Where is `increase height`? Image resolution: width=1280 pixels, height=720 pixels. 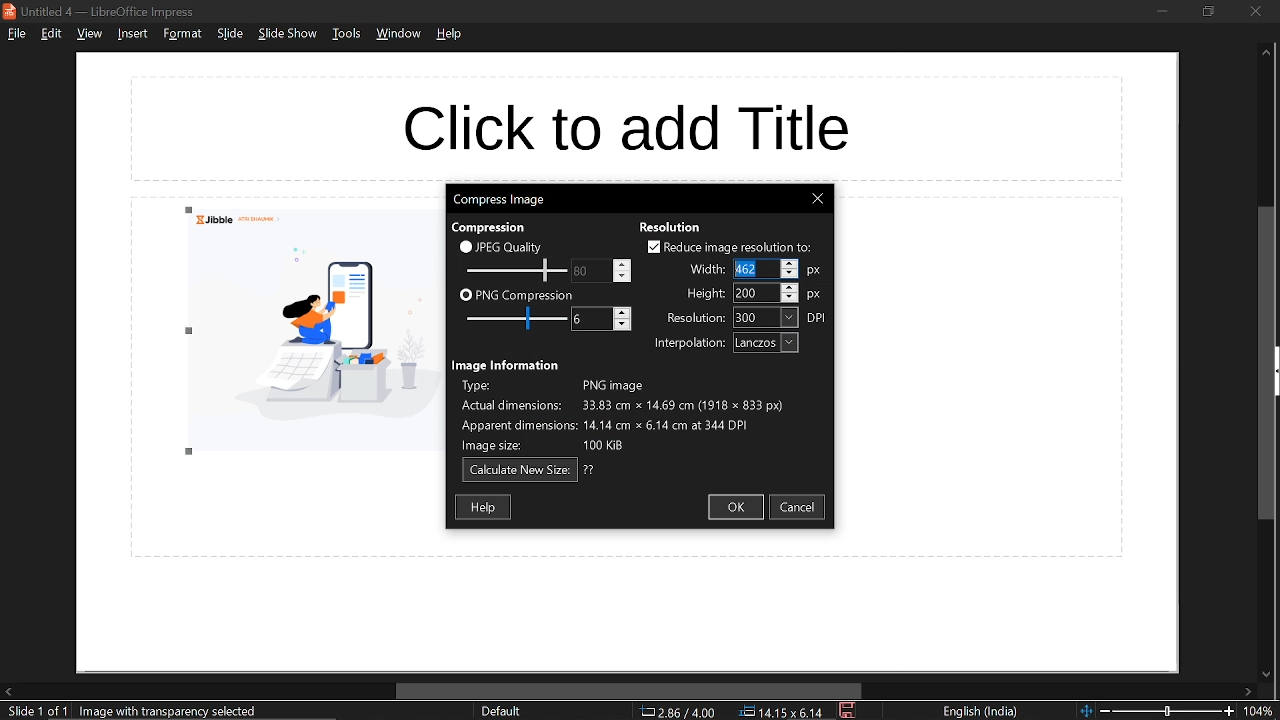 increase height is located at coordinates (789, 286).